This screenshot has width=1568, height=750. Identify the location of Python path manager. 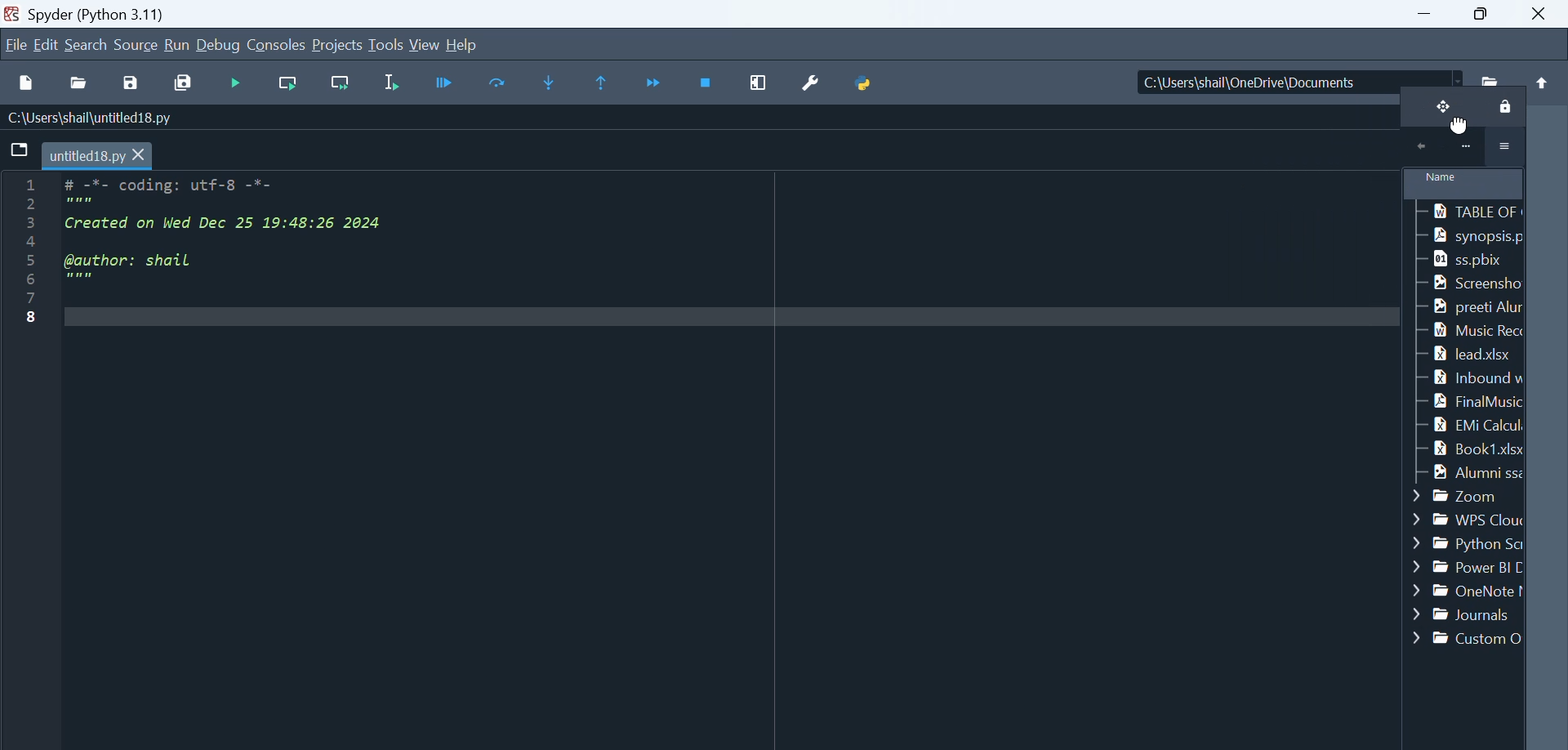
(866, 78).